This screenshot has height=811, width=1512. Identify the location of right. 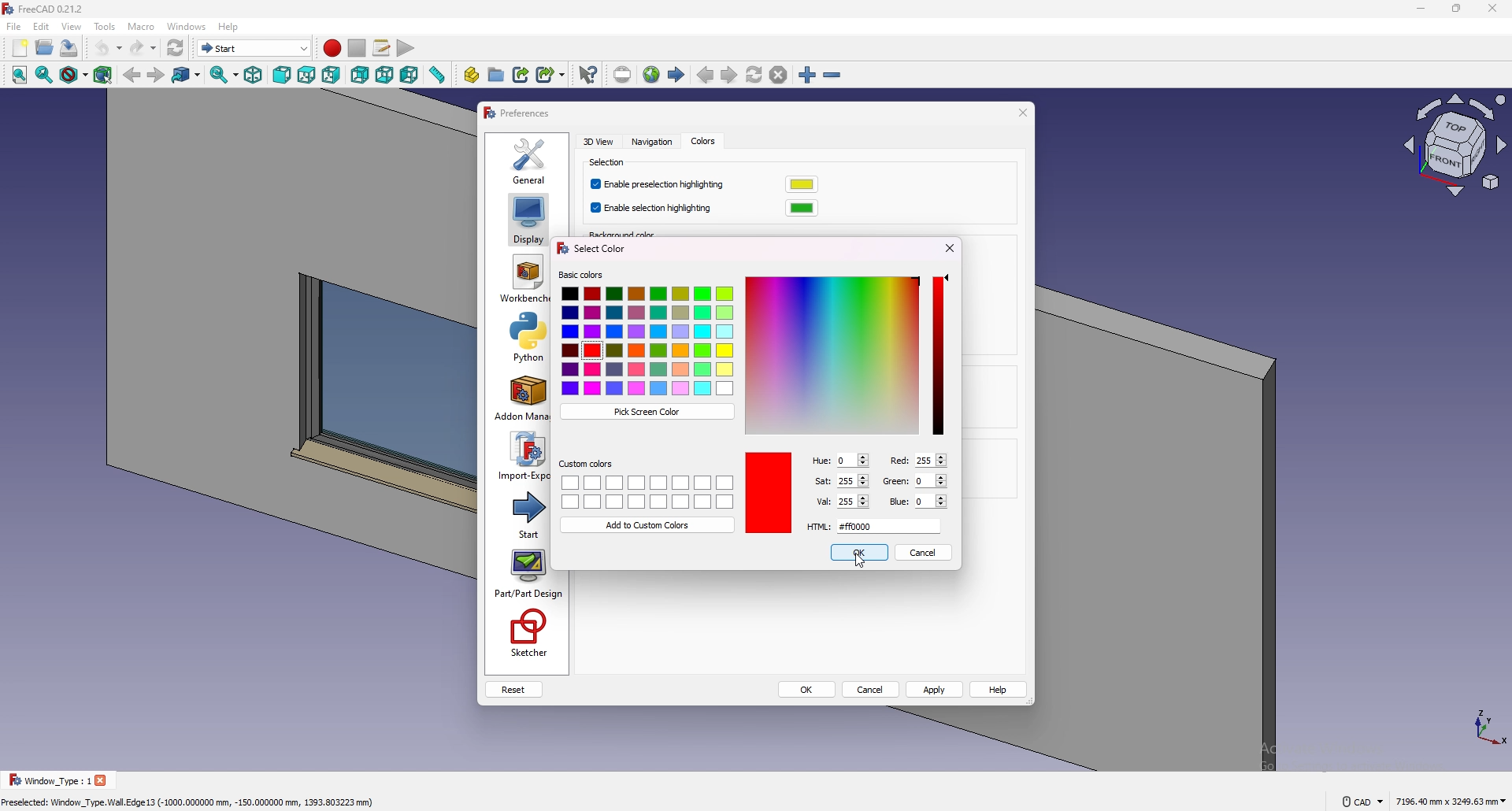
(332, 75).